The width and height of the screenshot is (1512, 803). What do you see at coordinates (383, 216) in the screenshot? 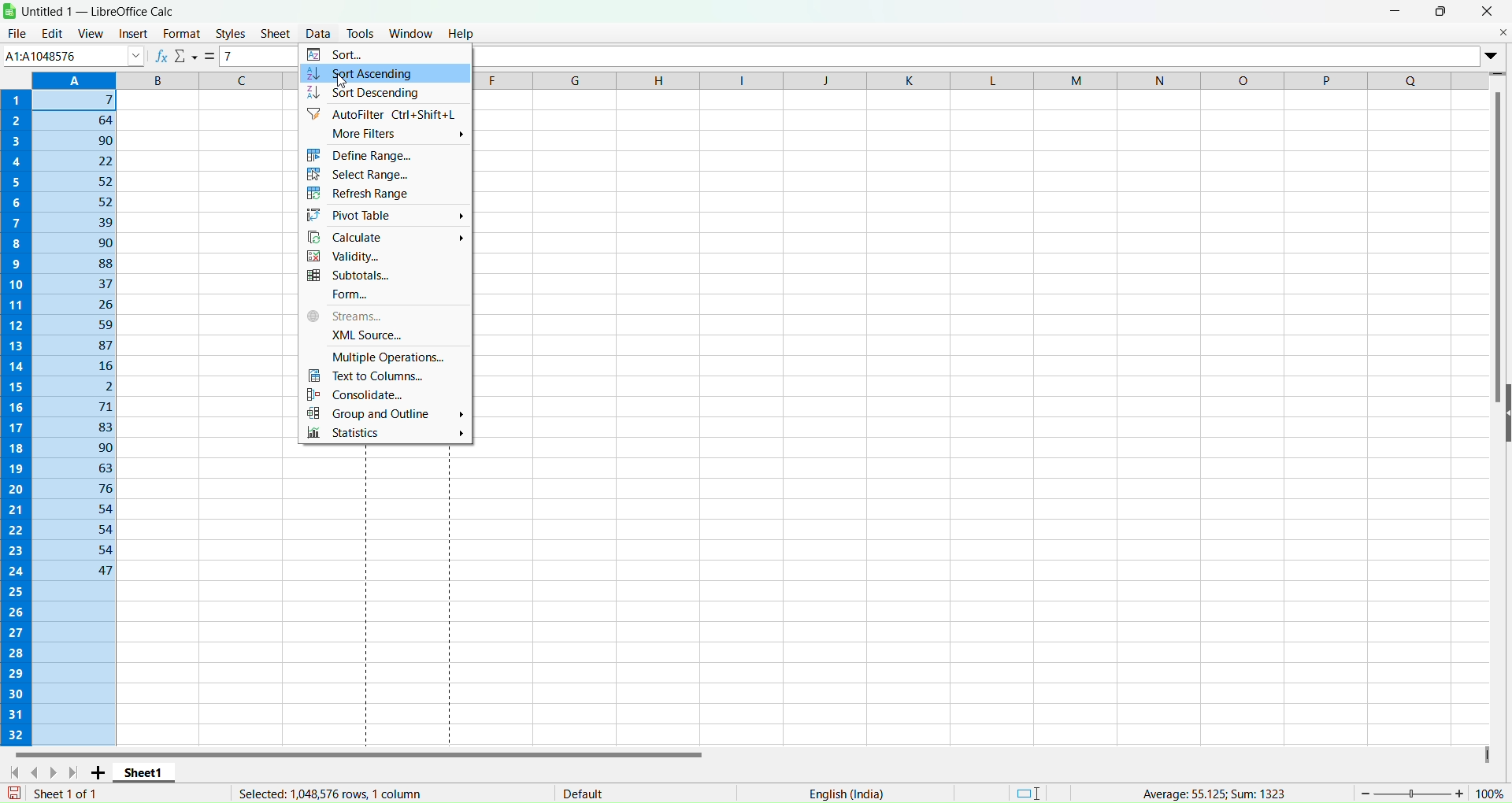
I see `Pivot Table` at bounding box center [383, 216].